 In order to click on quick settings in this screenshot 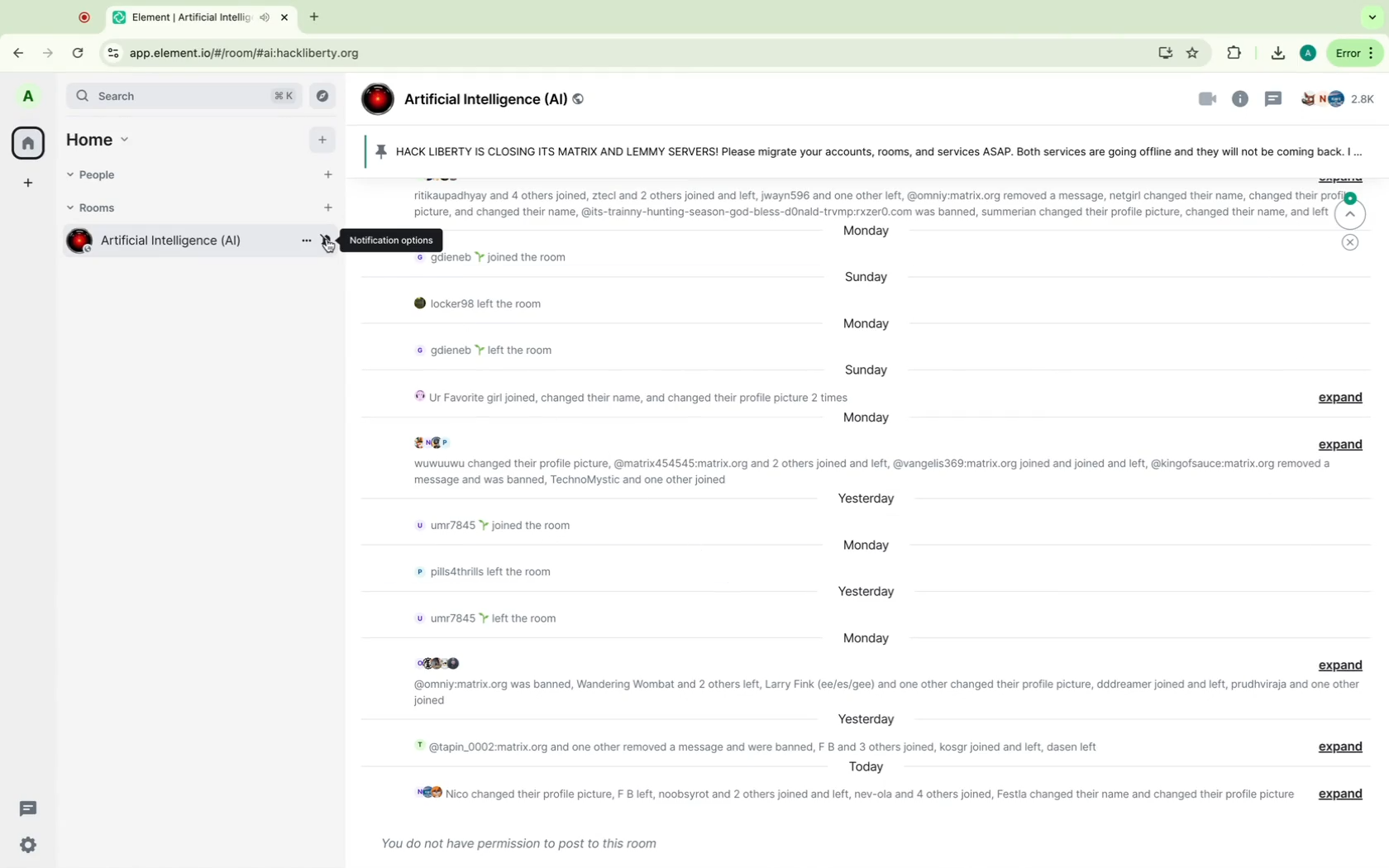, I will do `click(28, 847)`.